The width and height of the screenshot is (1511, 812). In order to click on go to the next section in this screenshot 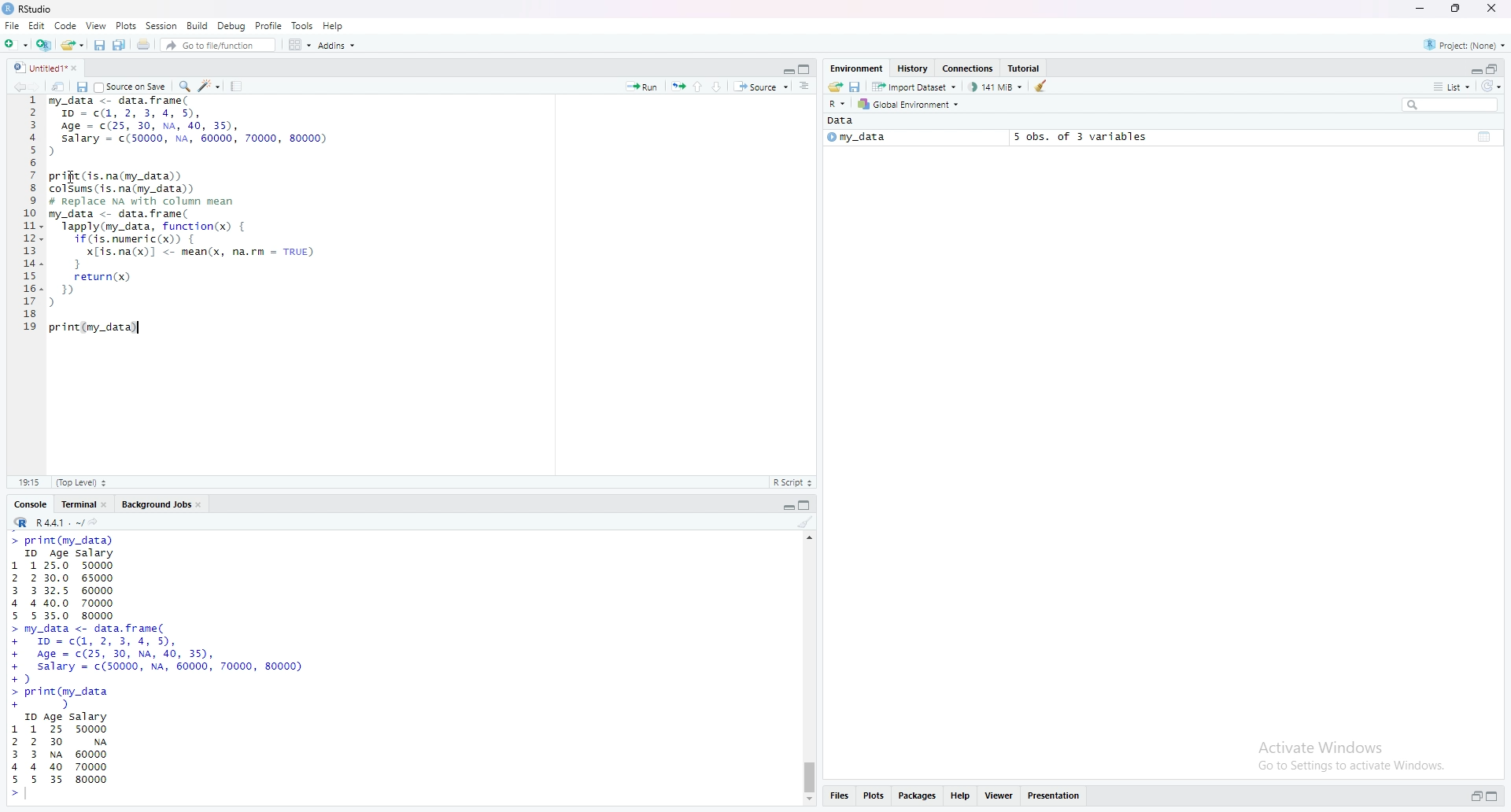, I will do `click(722, 87)`.